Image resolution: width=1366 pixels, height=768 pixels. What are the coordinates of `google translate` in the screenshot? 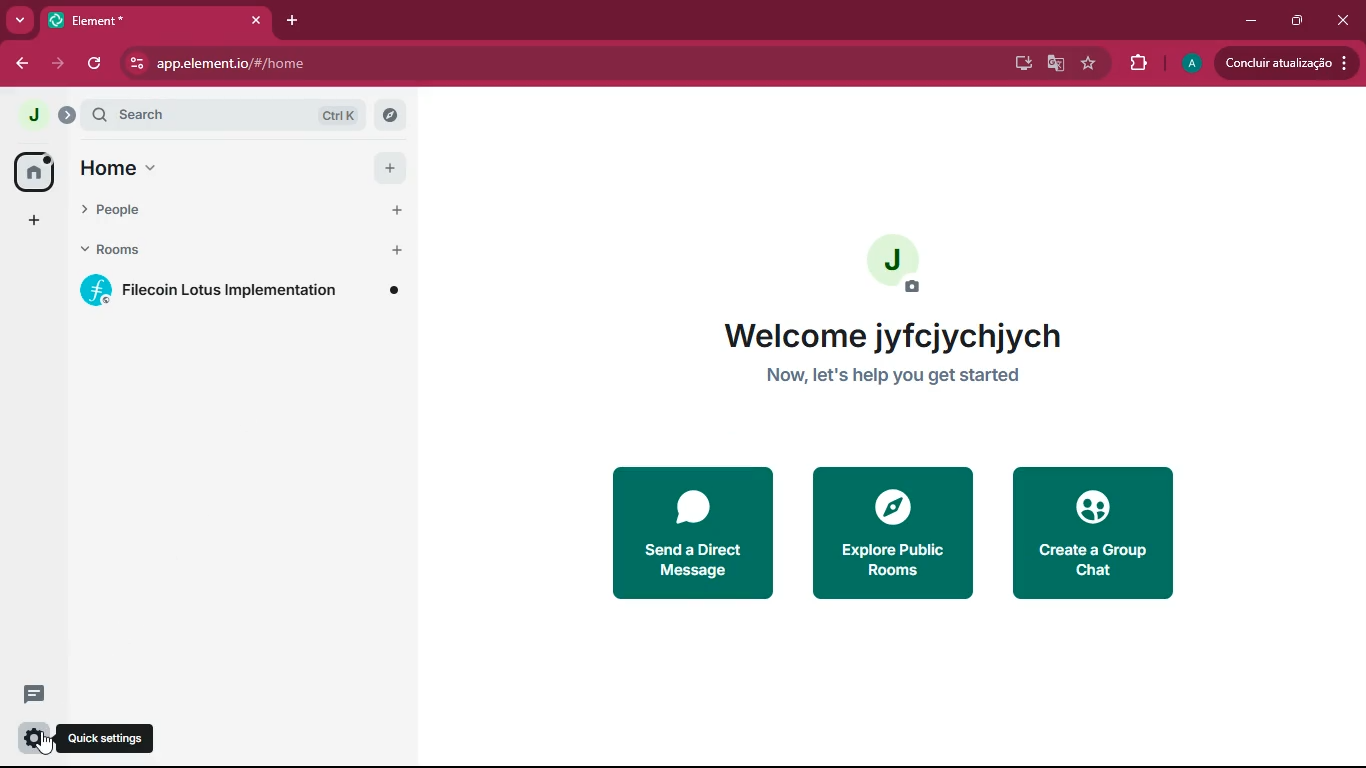 It's located at (1054, 64).